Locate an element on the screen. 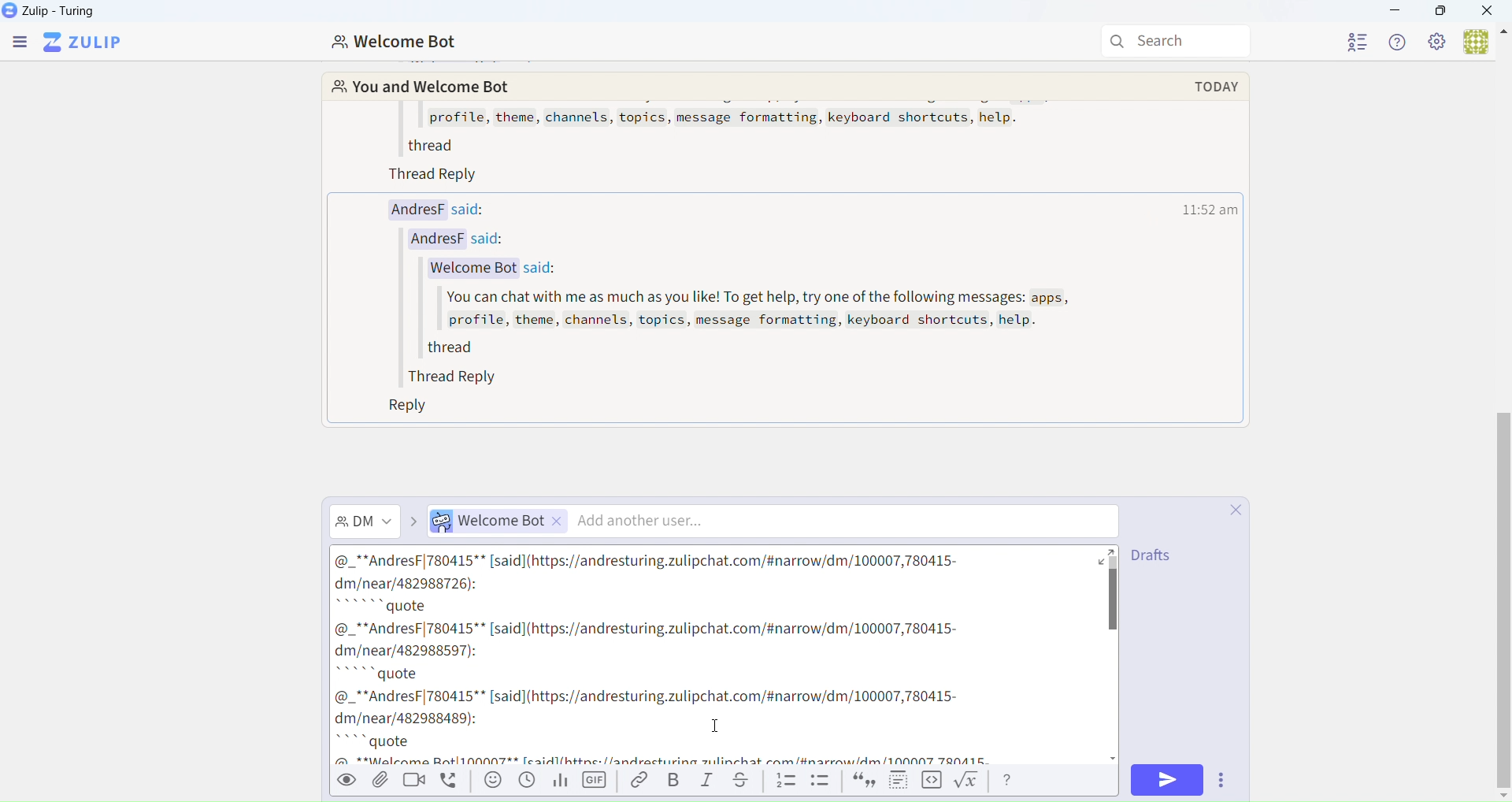 The image size is (1512, 802). vertical scroll bar is located at coordinates (1503, 600).